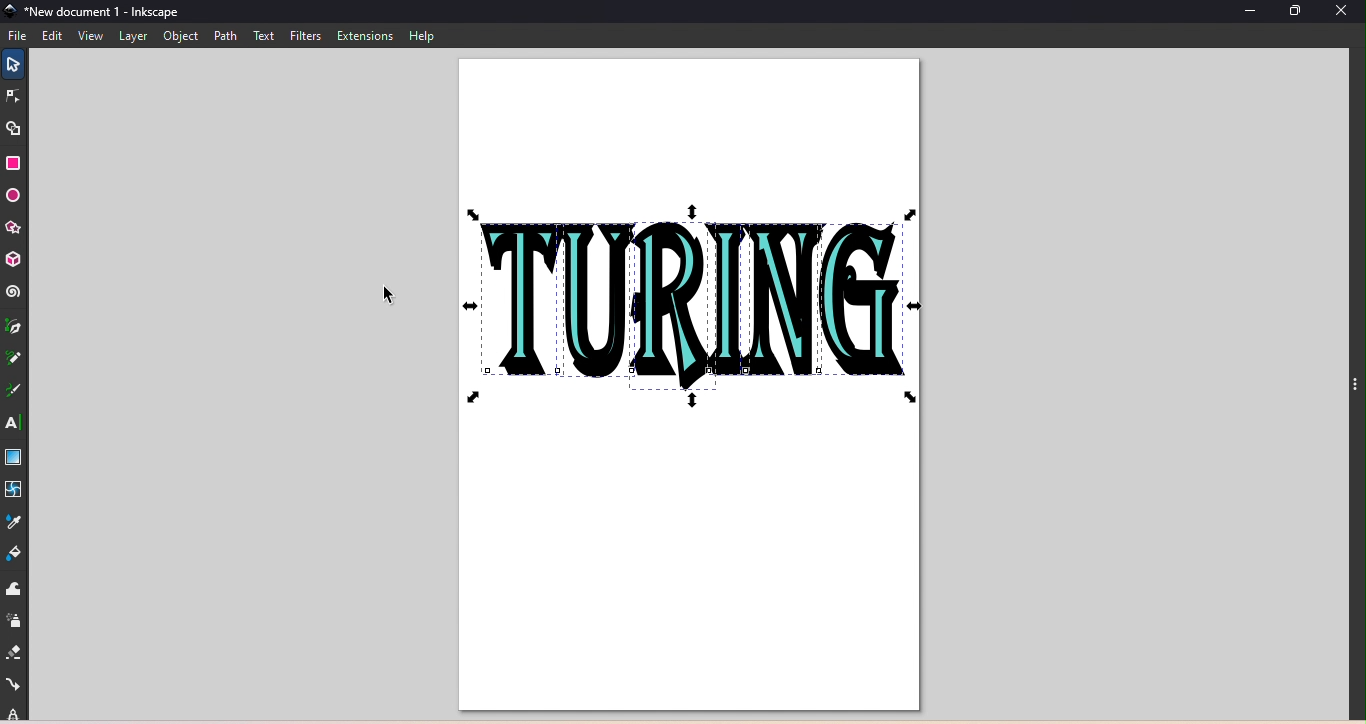  What do you see at coordinates (265, 36) in the screenshot?
I see `Text` at bounding box center [265, 36].